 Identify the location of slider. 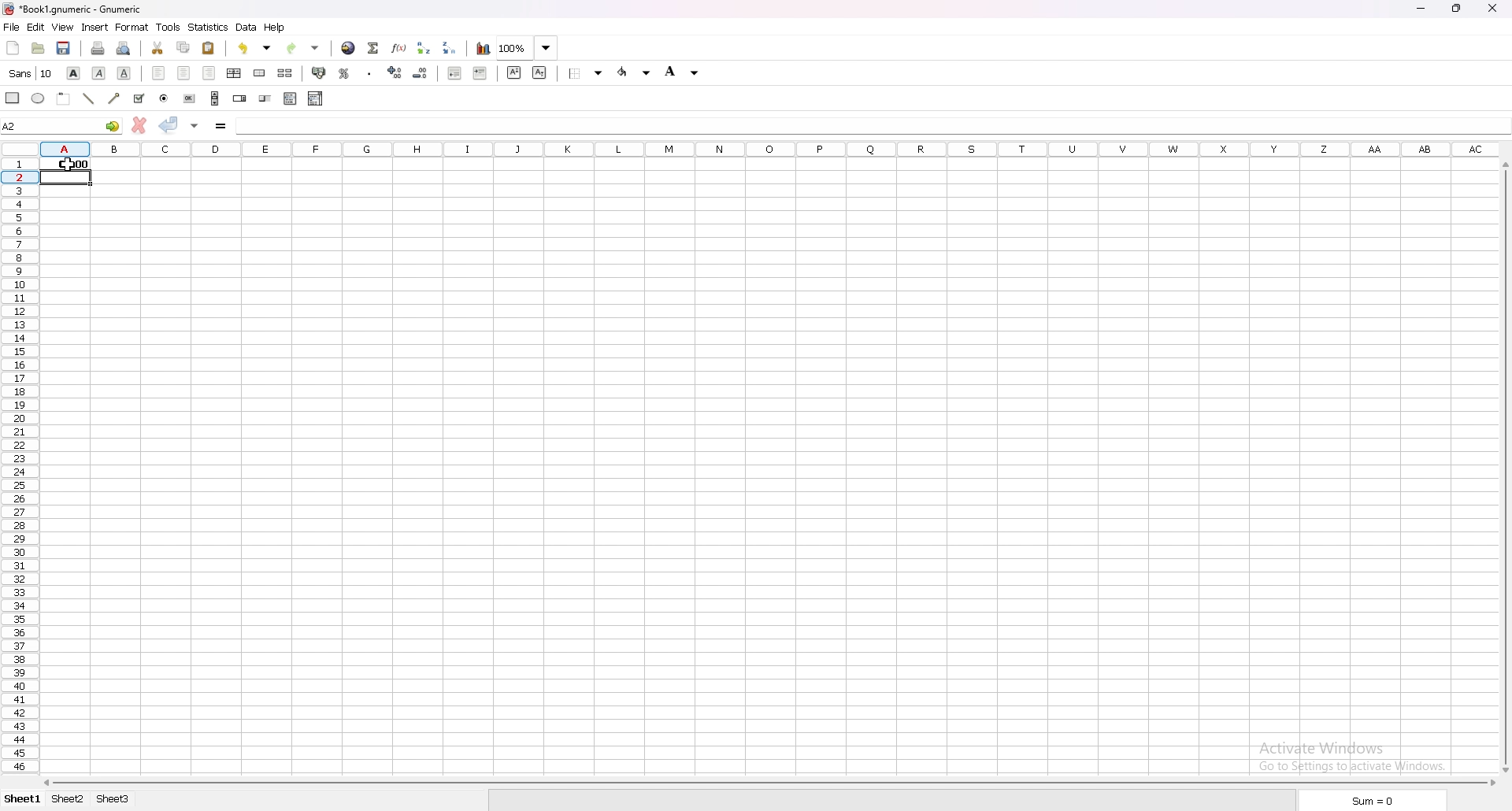
(266, 98).